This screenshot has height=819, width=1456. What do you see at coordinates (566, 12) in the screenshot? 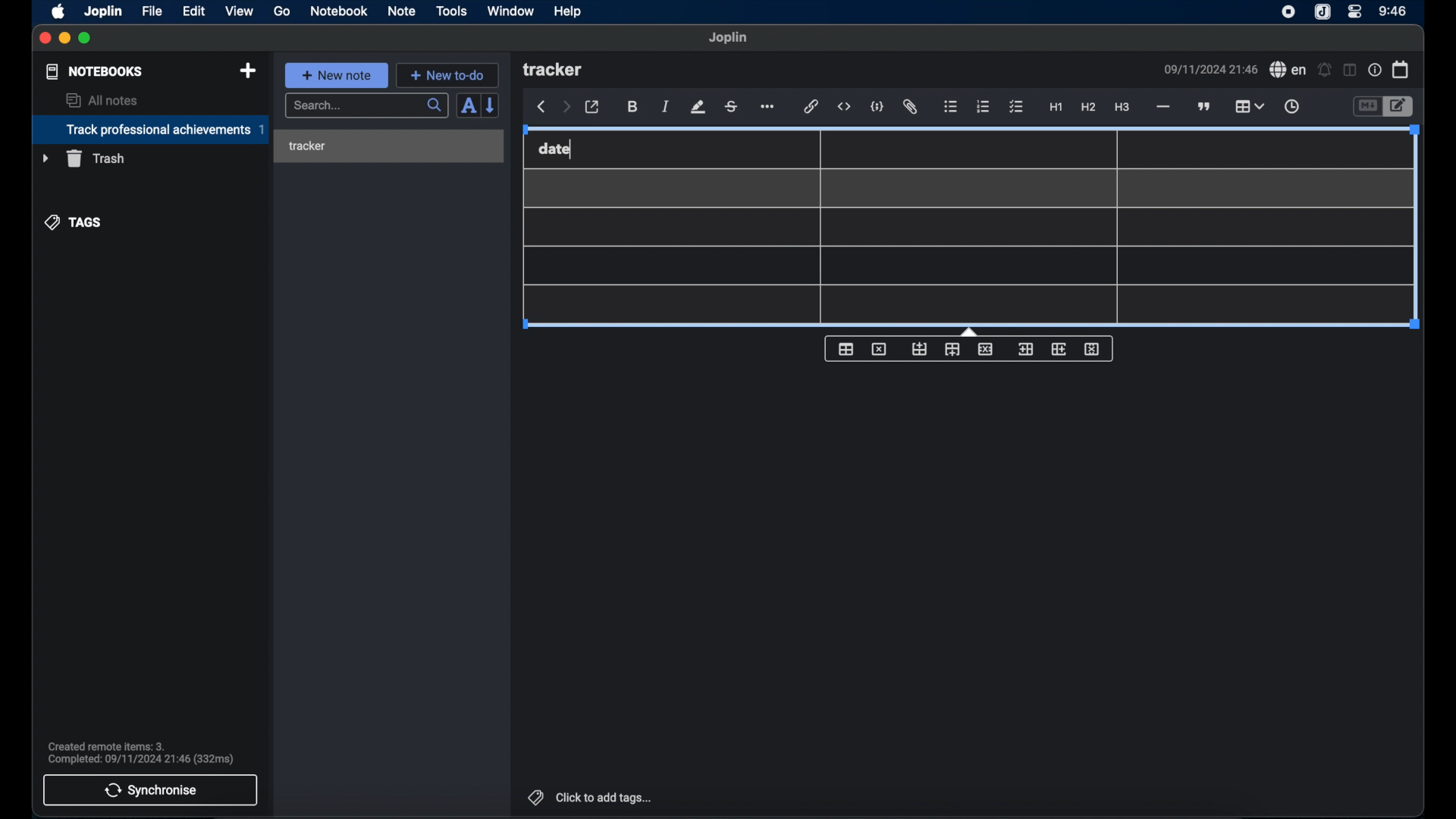
I see `help` at bounding box center [566, 12].